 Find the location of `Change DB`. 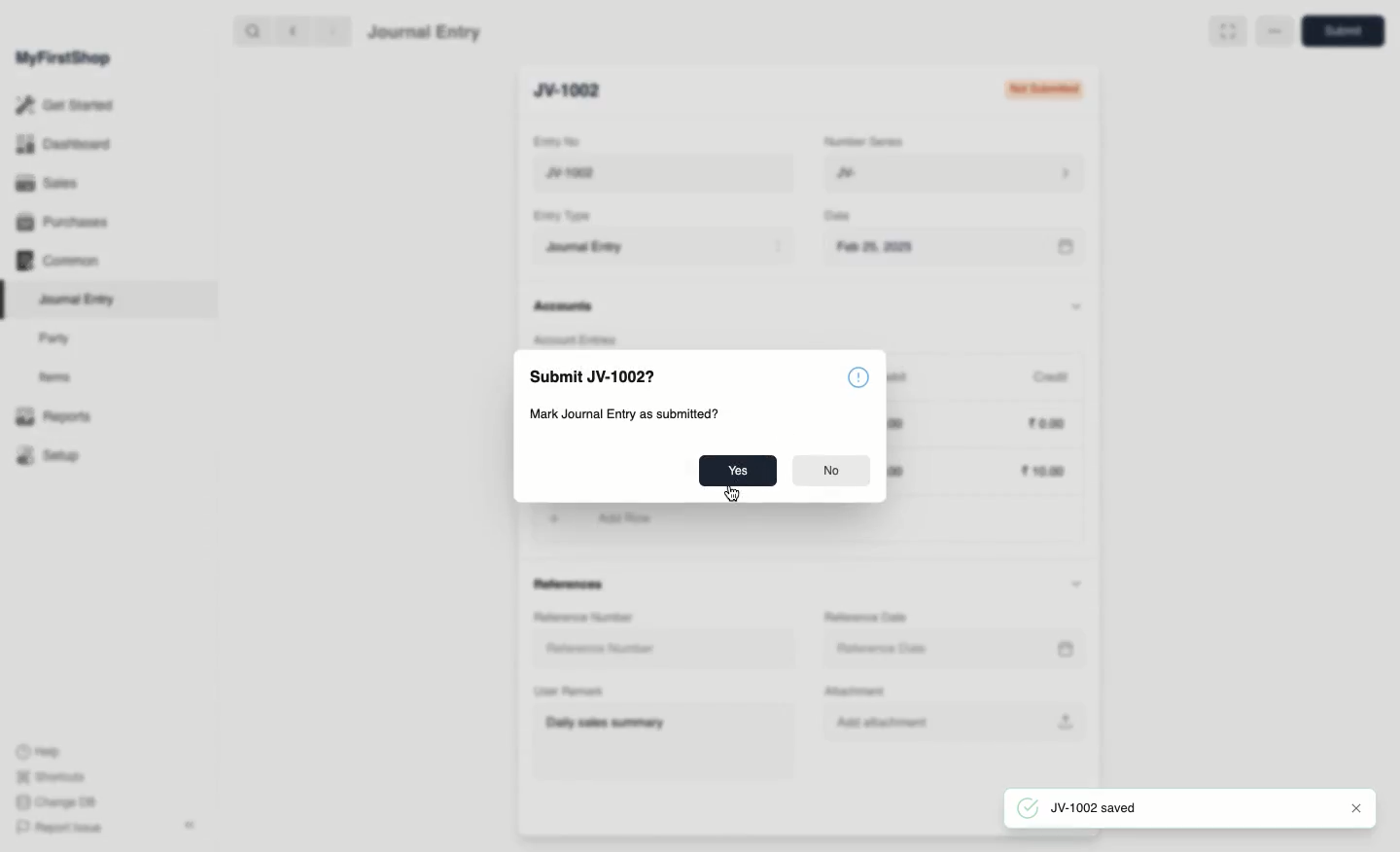

Change DB is located at coordinates (56, 803).